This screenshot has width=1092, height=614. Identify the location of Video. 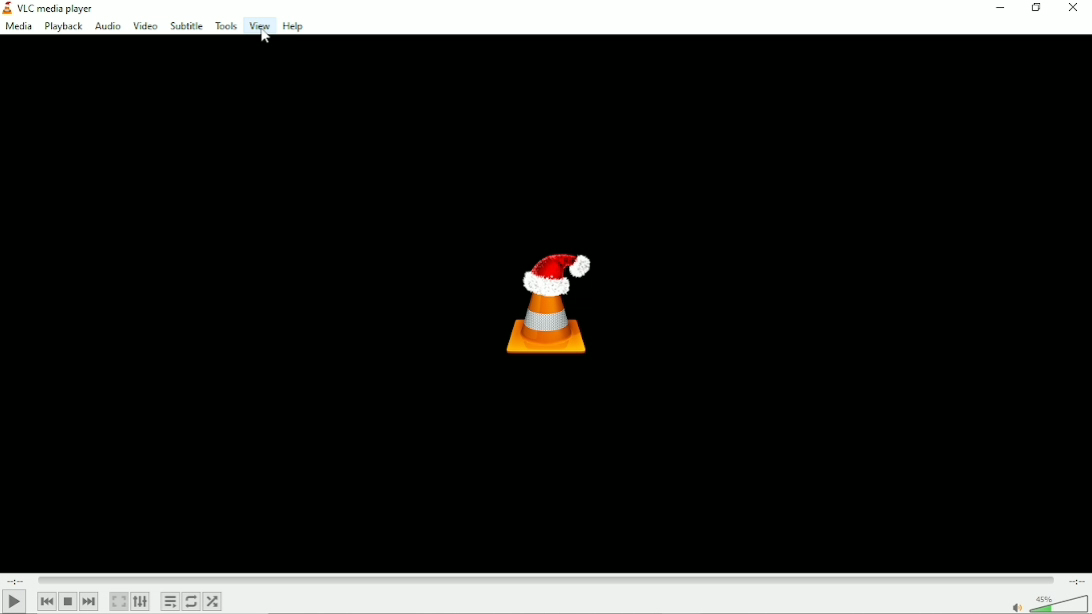
(145, 25).